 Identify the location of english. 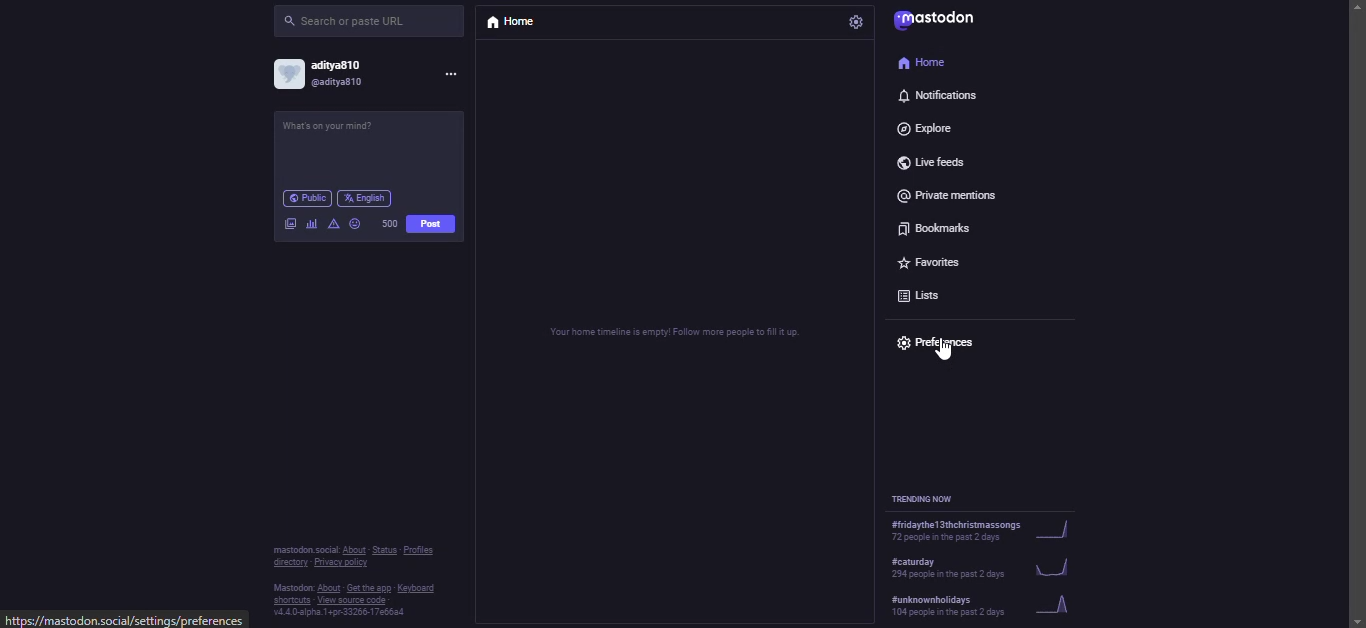
(367, 197).